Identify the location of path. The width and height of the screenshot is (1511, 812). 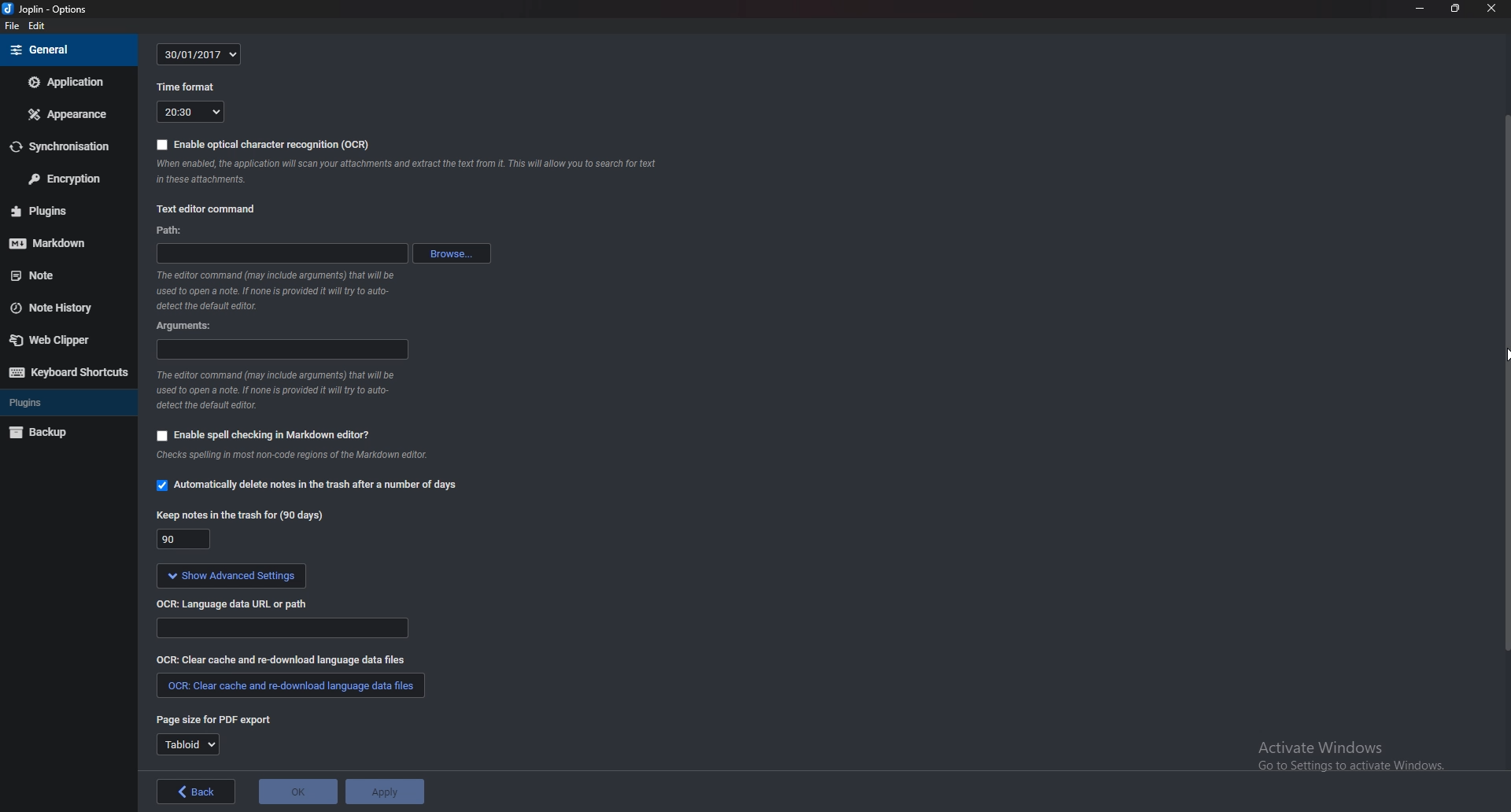
(278, 254).